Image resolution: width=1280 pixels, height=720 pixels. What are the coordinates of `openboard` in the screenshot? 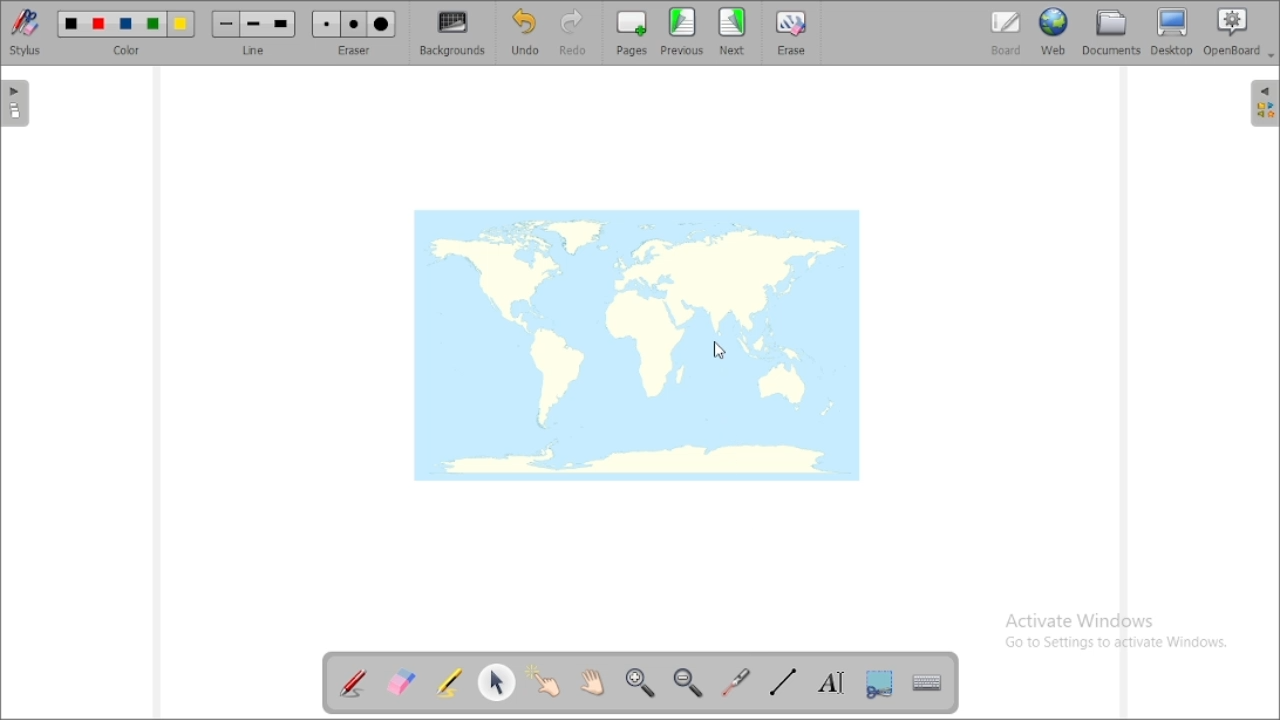 It's located at (1234, 32).